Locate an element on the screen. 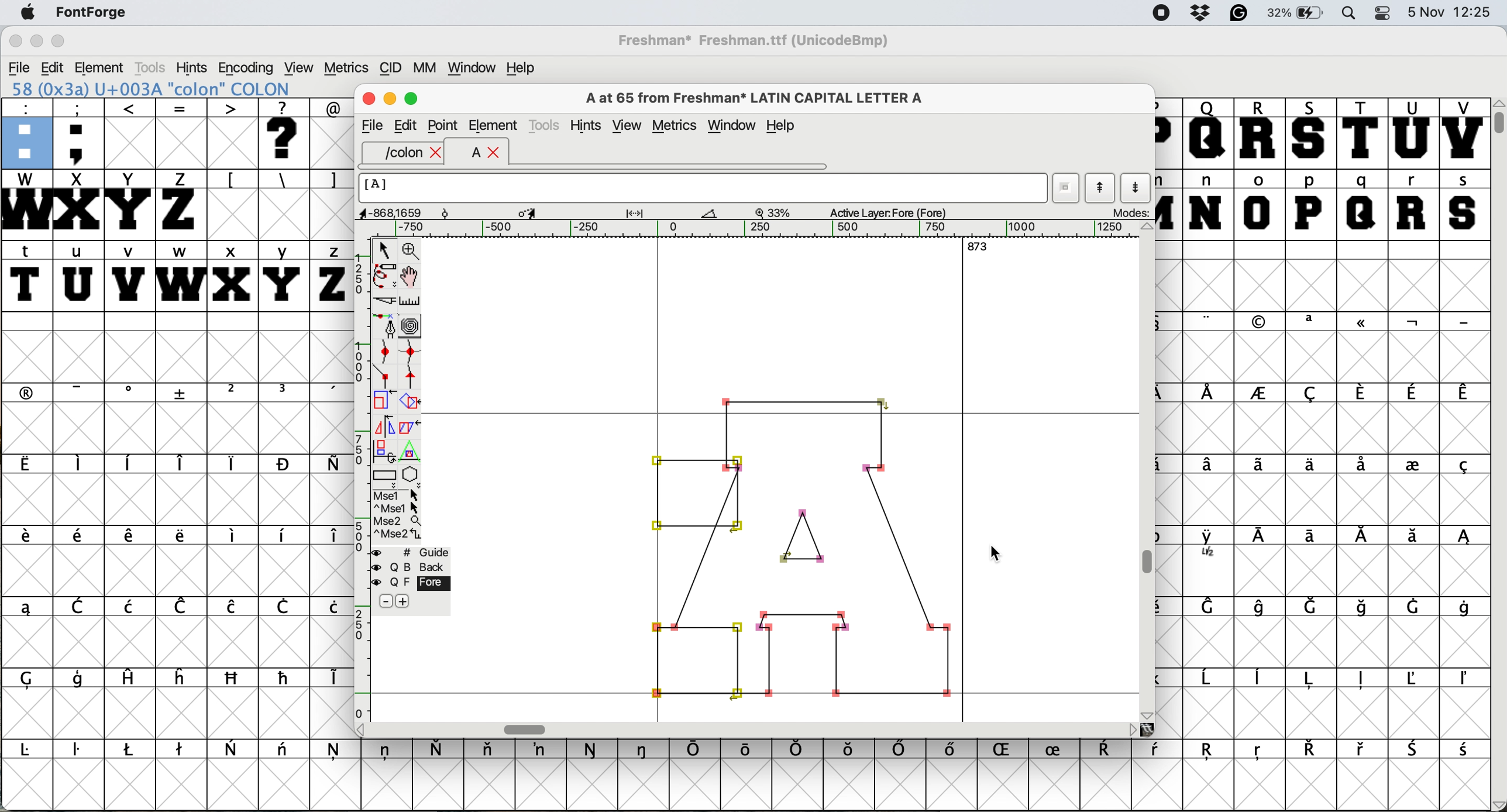 The width and height of the screenshot is (1507, 812). close is located at coordinates (367, 101).